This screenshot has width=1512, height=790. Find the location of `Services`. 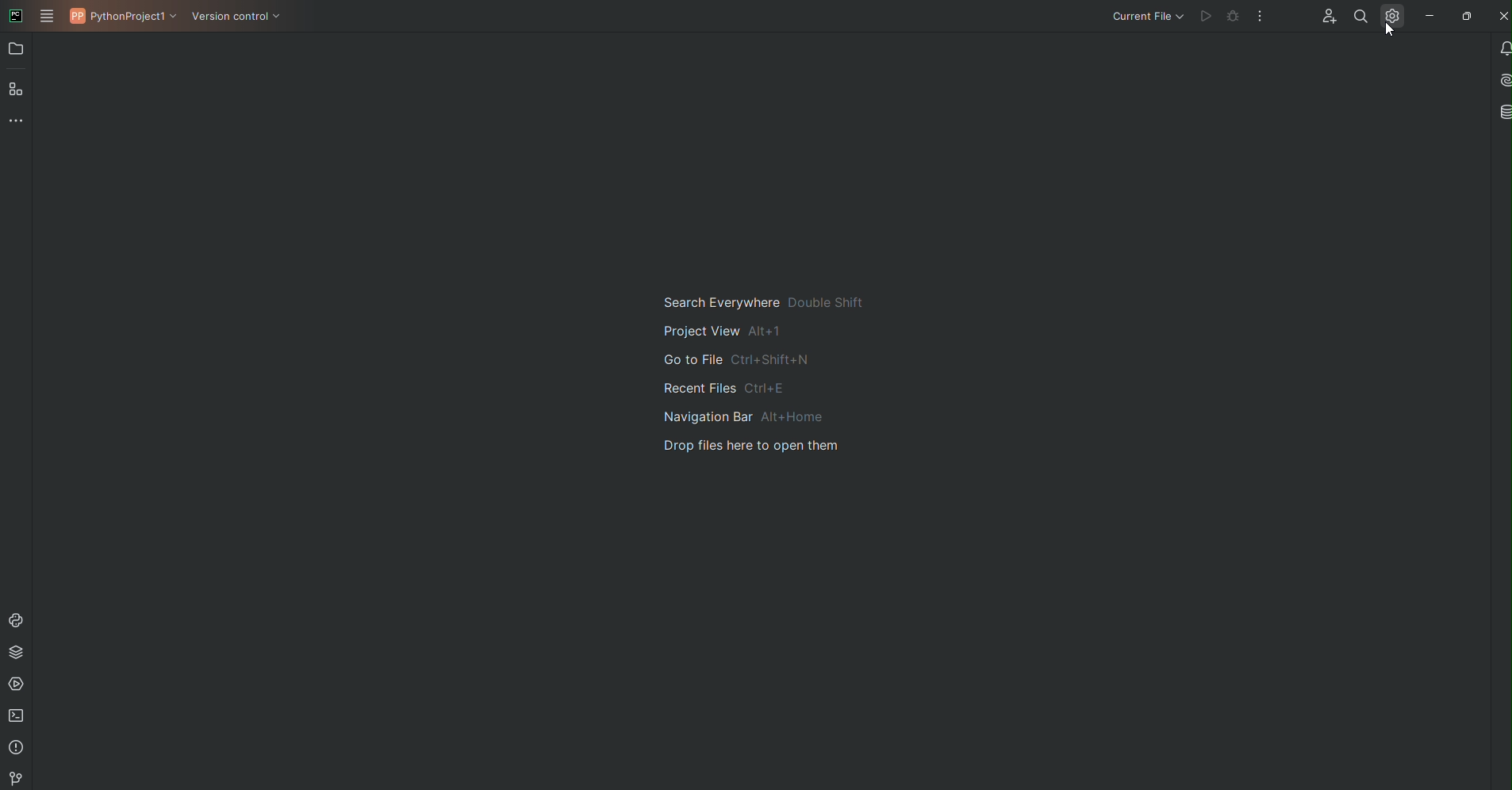

Services is located at coordinates (17, 686).